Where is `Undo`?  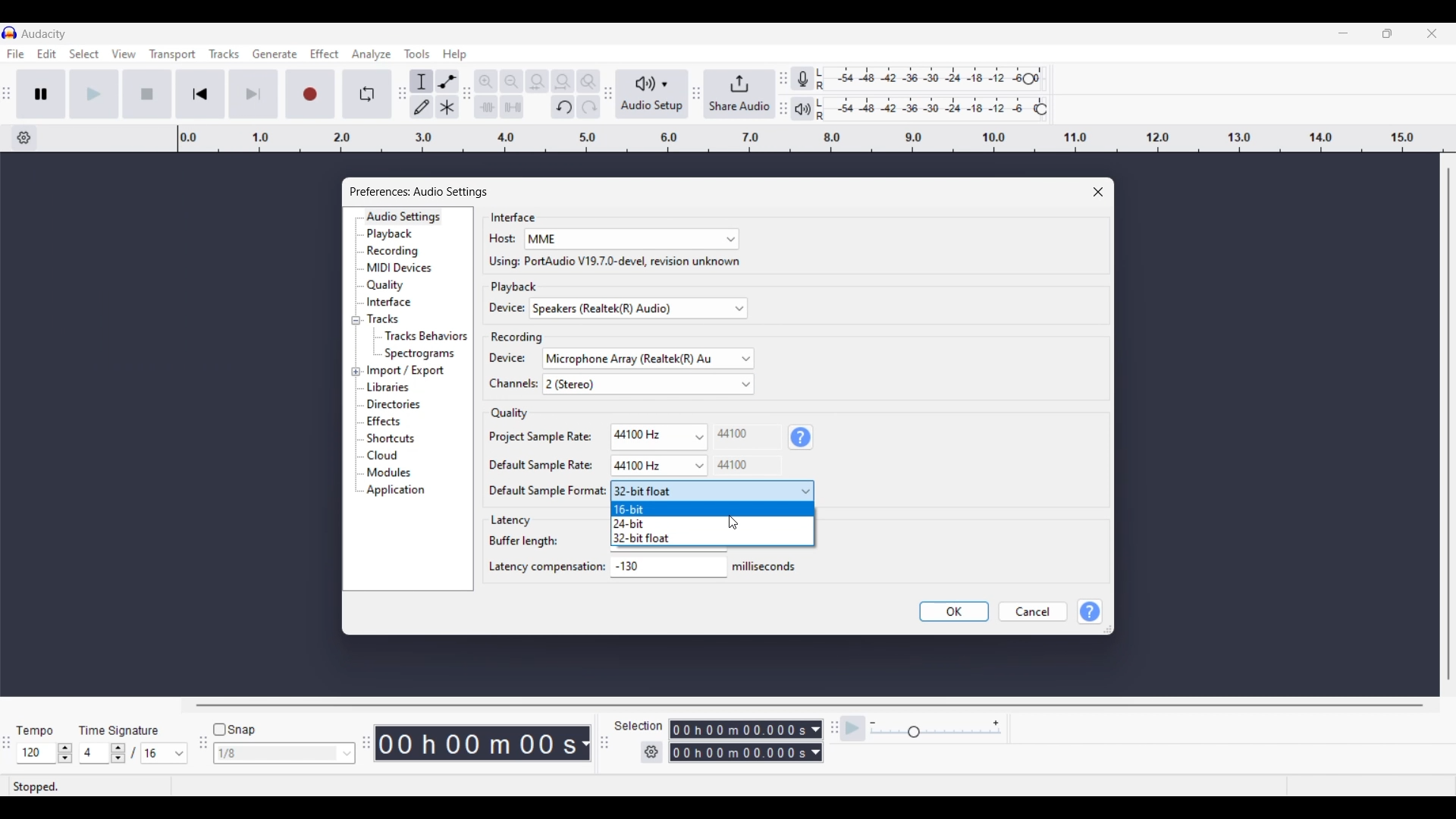 Undo is located at coordinates (563, 107).